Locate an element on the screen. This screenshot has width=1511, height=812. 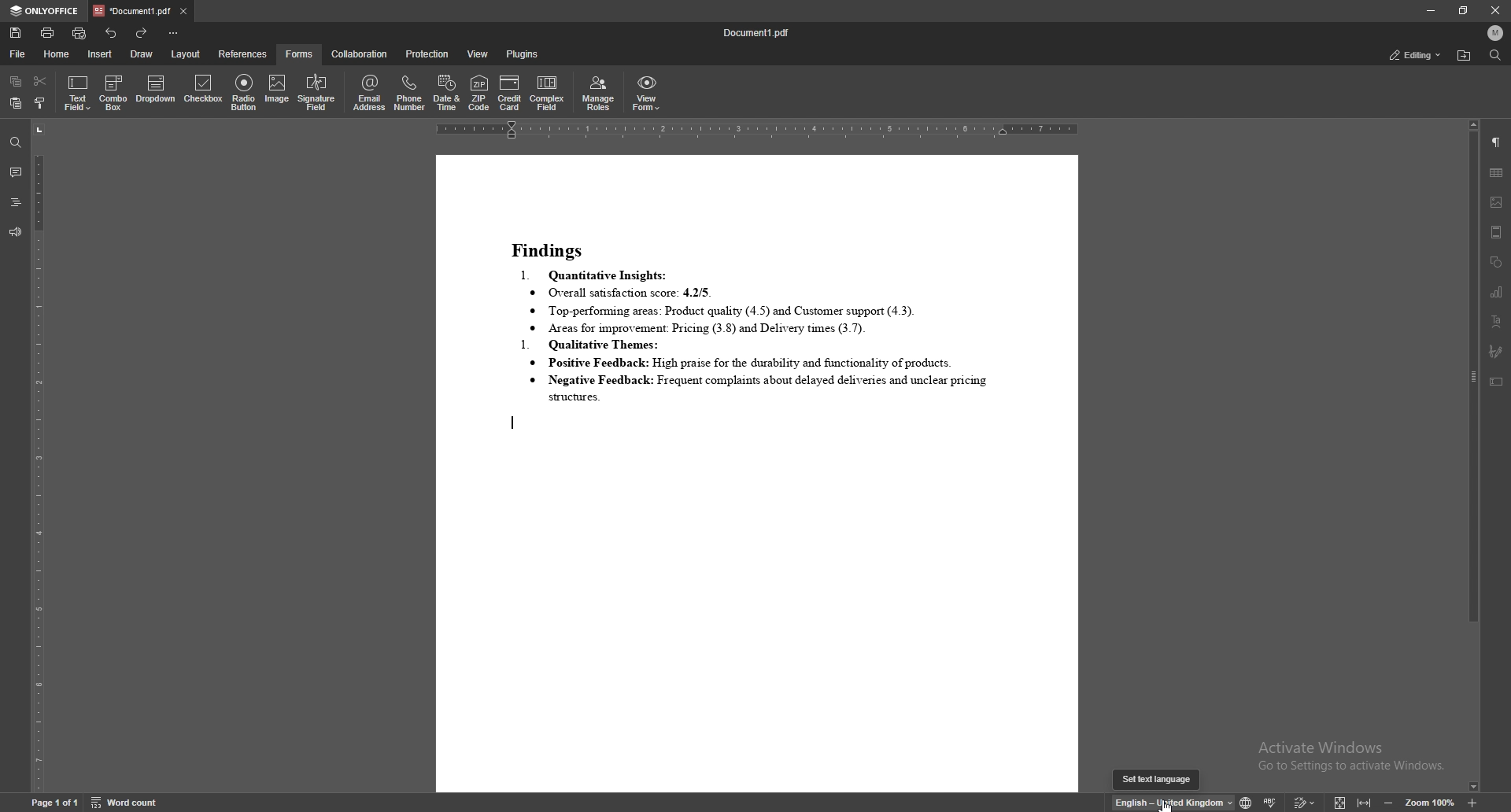
save is located at coordinates (16, 33).